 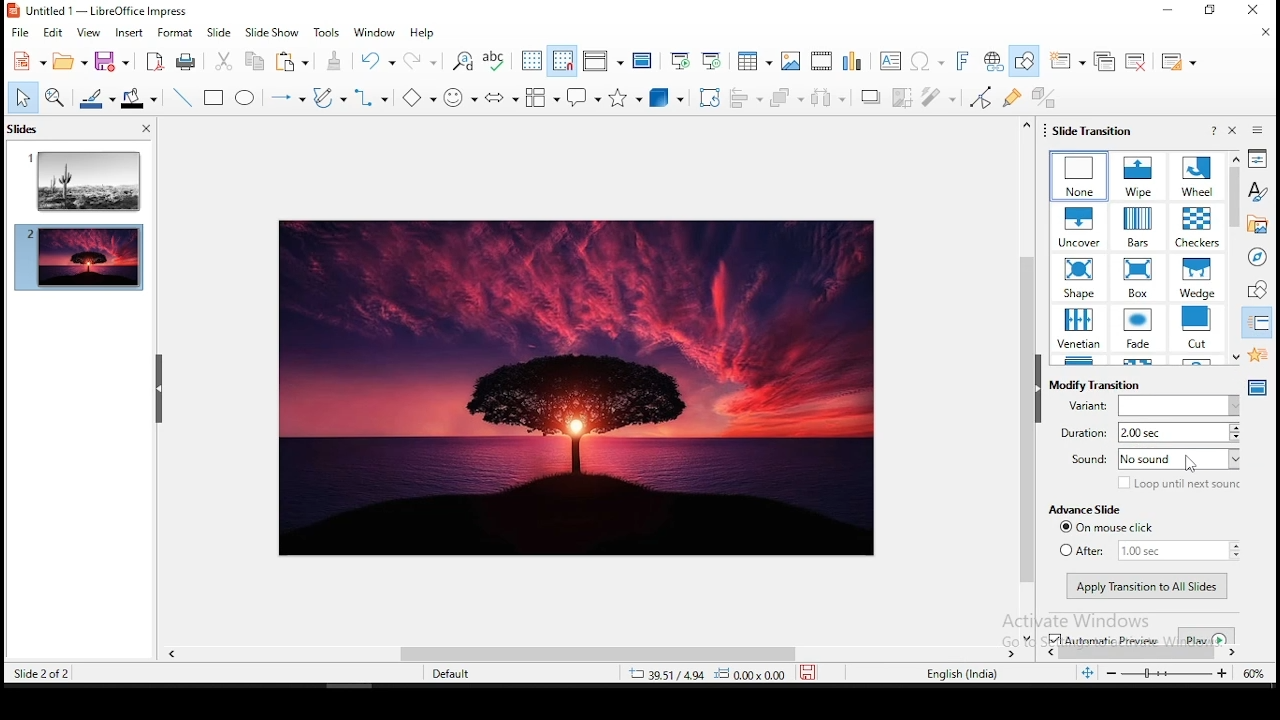 What do you see at coordinates (979, 97) in the screenshot?
I see `toggle point edit mode` at bounding box center [979, 97].